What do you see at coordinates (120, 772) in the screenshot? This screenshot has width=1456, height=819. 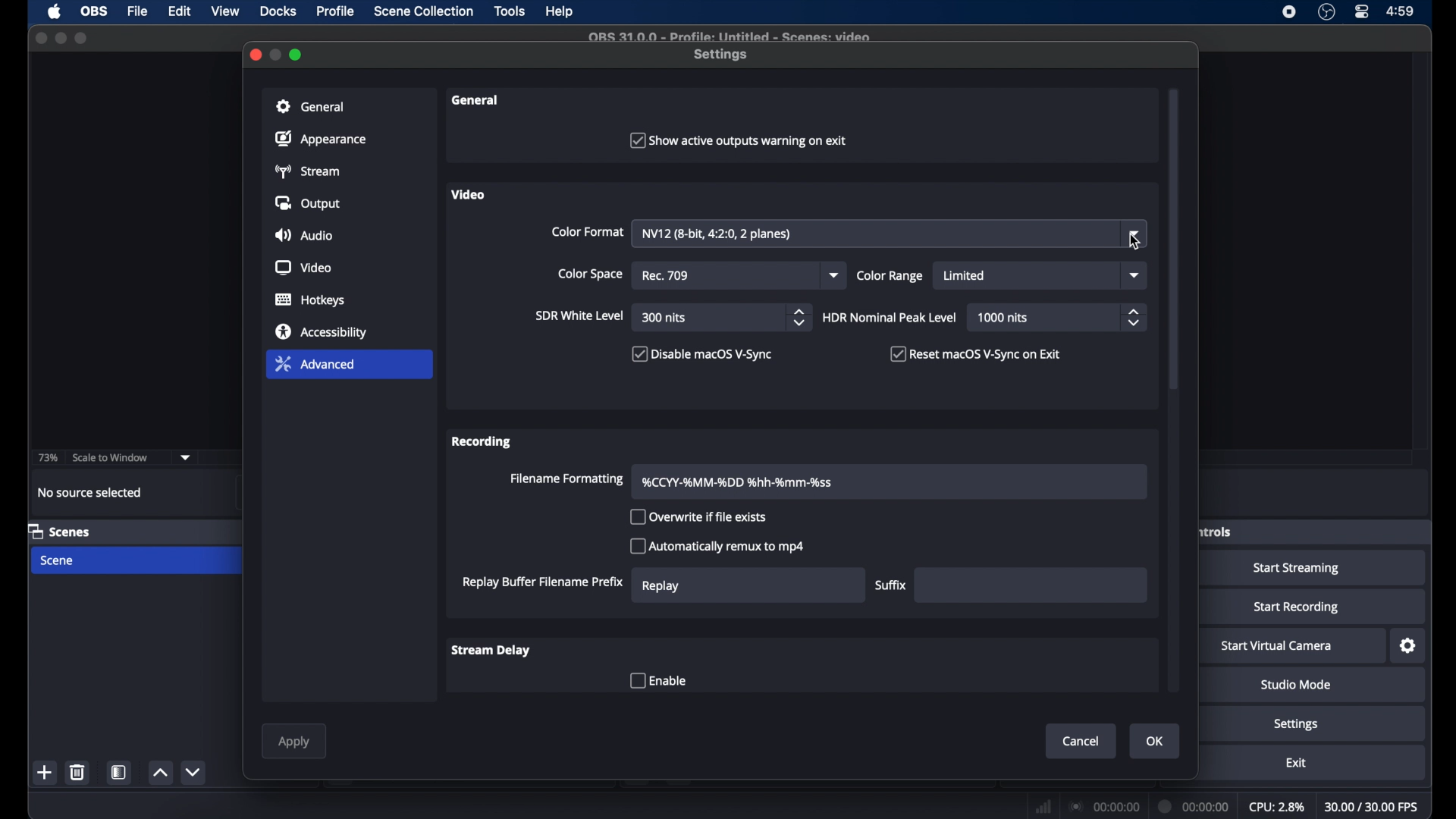 I see `scene filters` at bounding box center [120, 772].